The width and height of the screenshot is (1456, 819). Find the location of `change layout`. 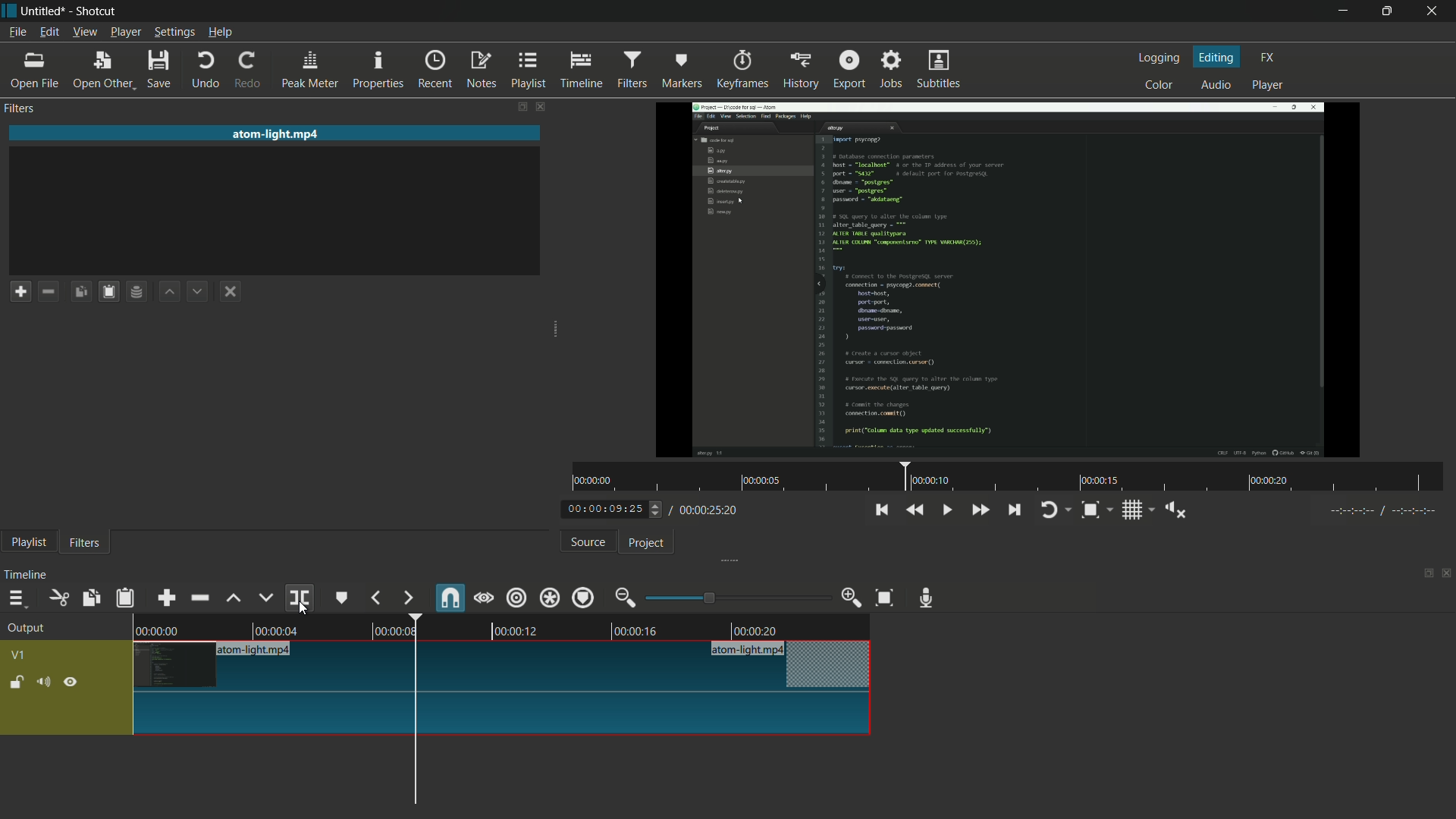

change layout is located at coordinates (516, 106).